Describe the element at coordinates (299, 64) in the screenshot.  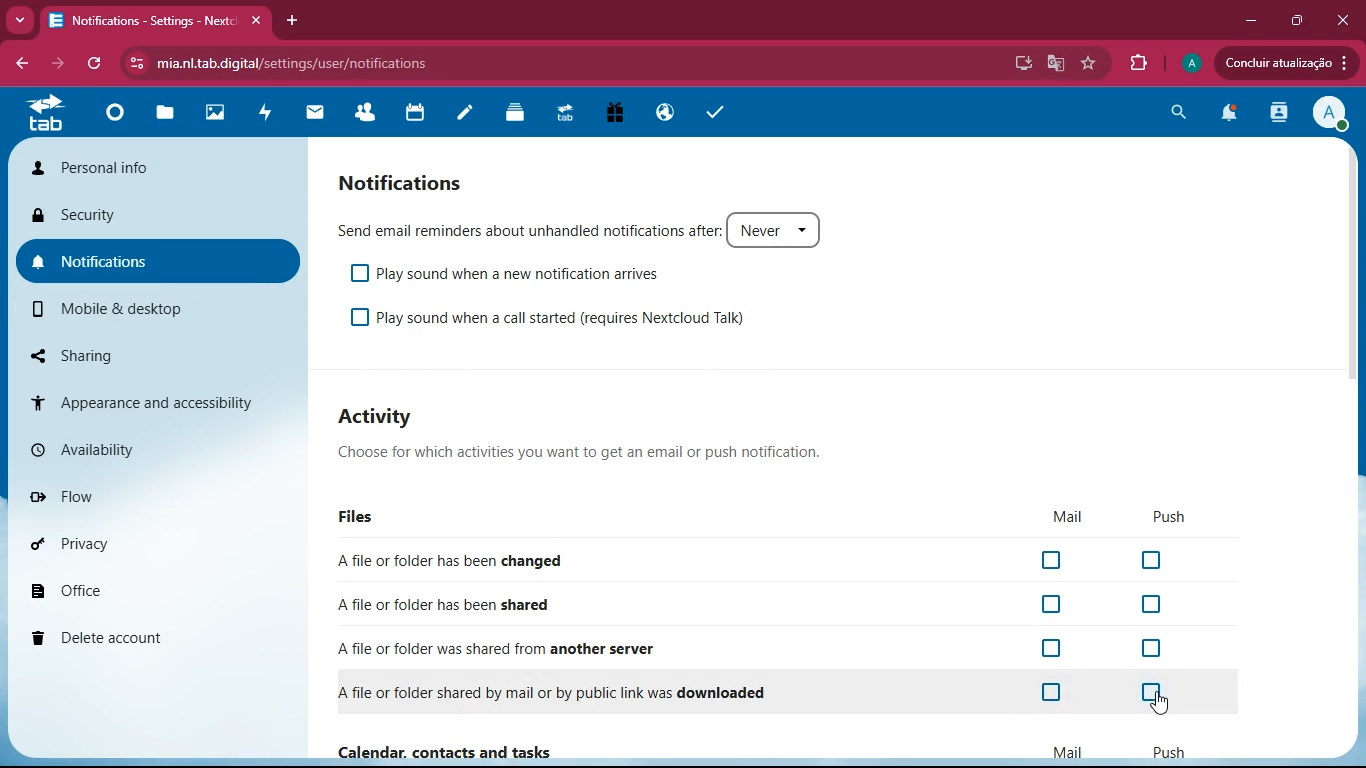
I see `mia.nl.tab.digital/settings/user/notifications` at that location.